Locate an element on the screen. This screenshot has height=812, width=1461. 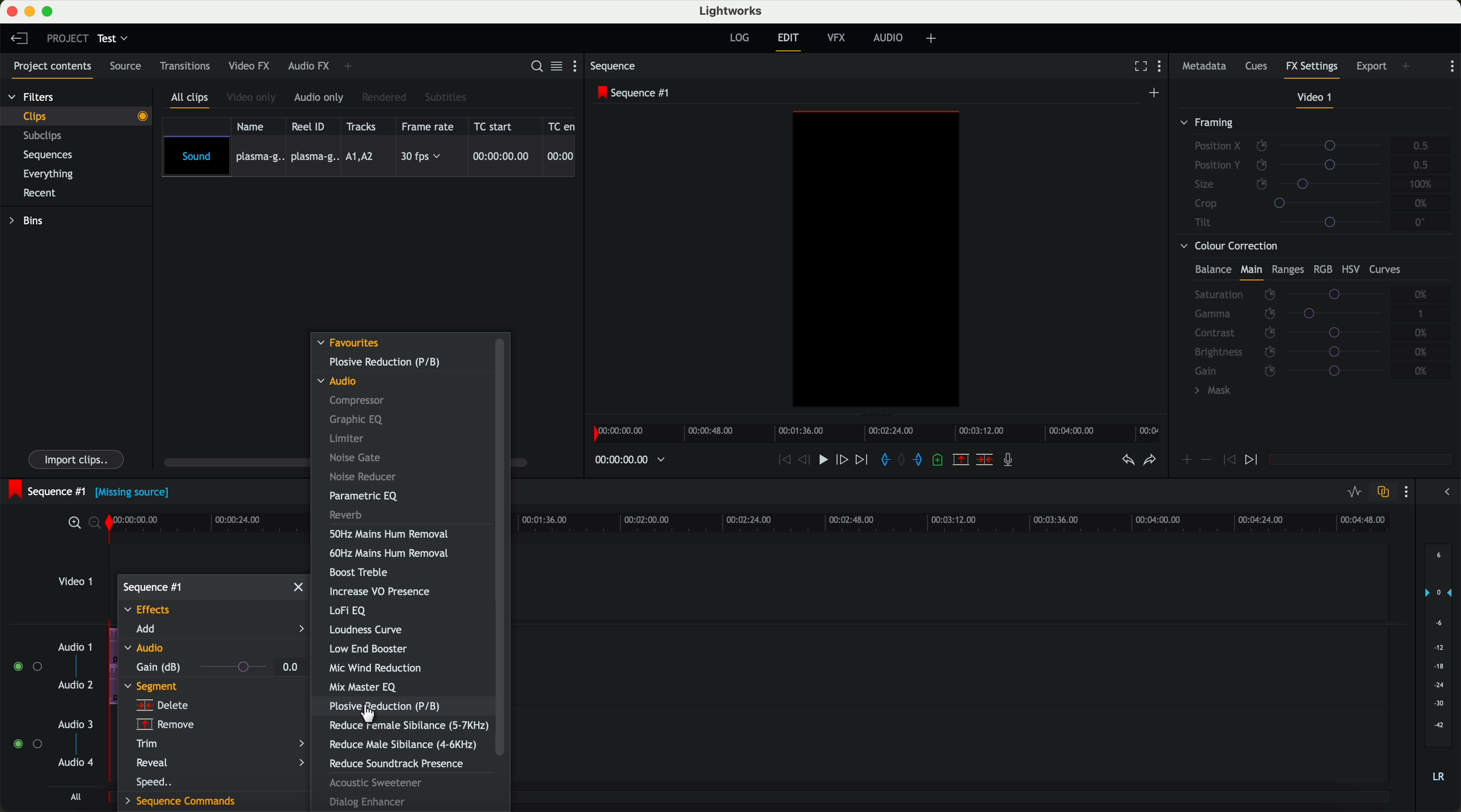
limiter is located at coordinates (349, 438).